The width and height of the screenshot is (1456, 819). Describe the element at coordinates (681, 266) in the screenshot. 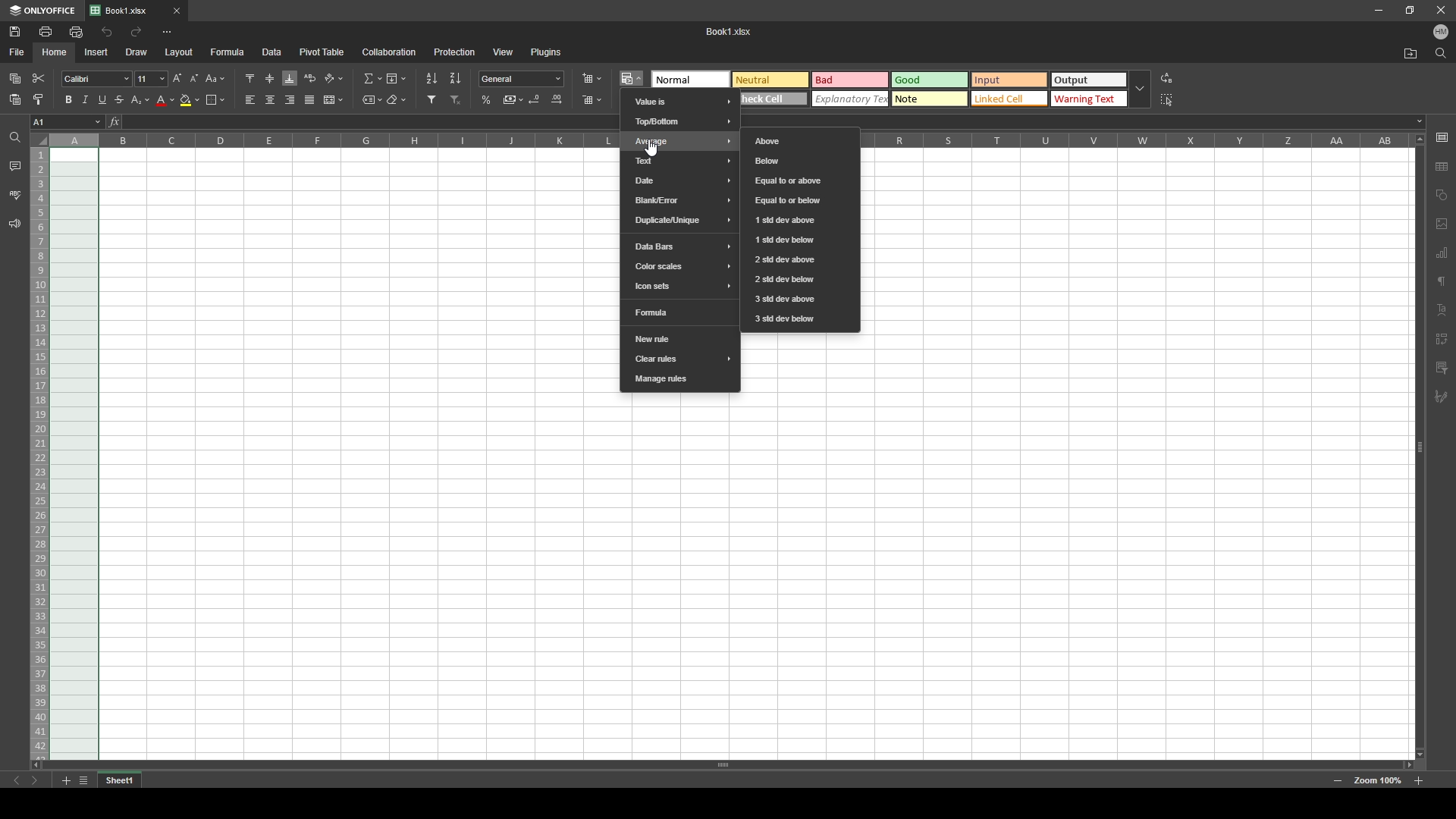

I see `color scales` at that location.